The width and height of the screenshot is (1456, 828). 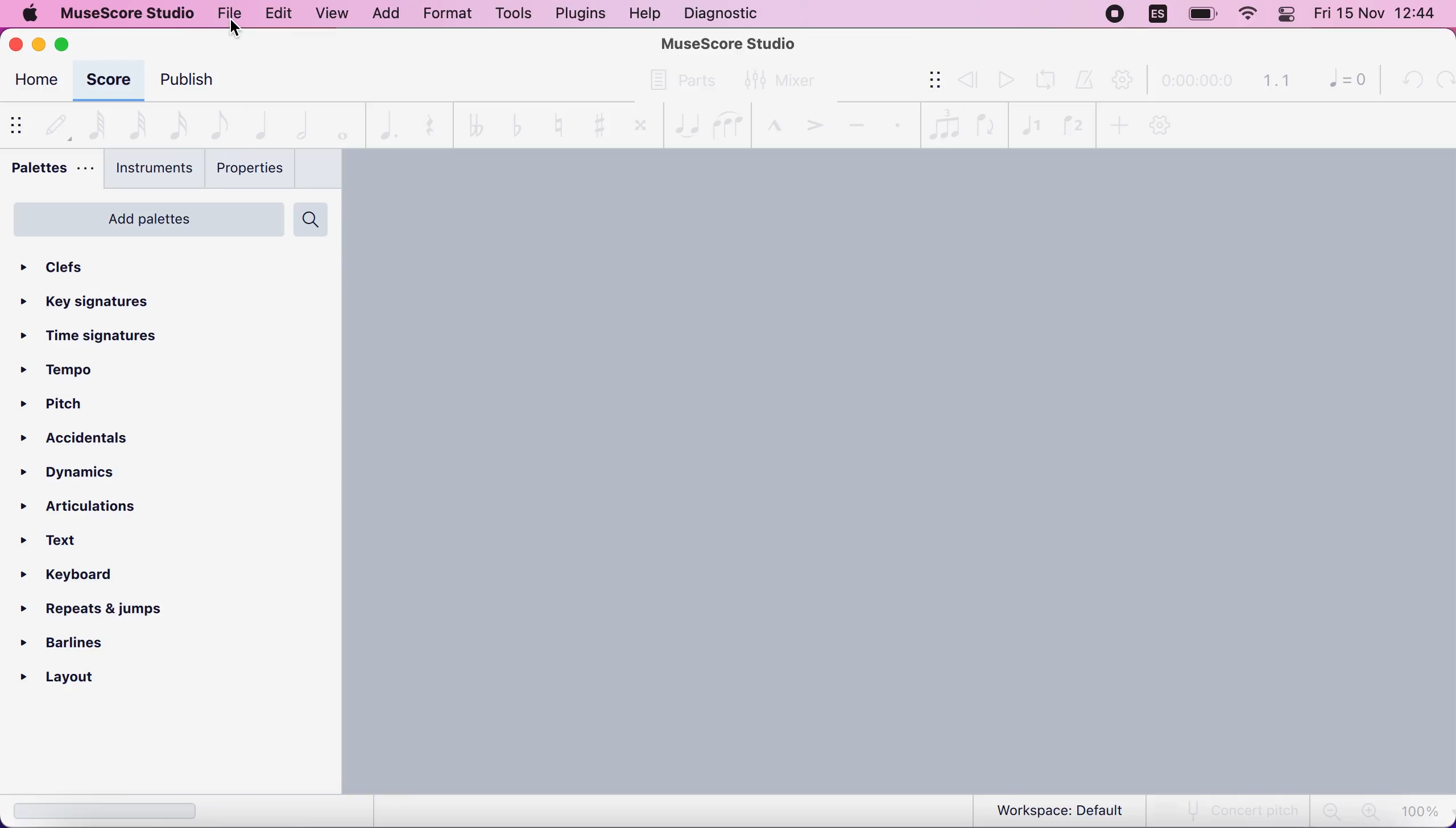 What do you see at coordinates (443, 15) in the screenshot?
I see `format` at bounding box center [443, 15].